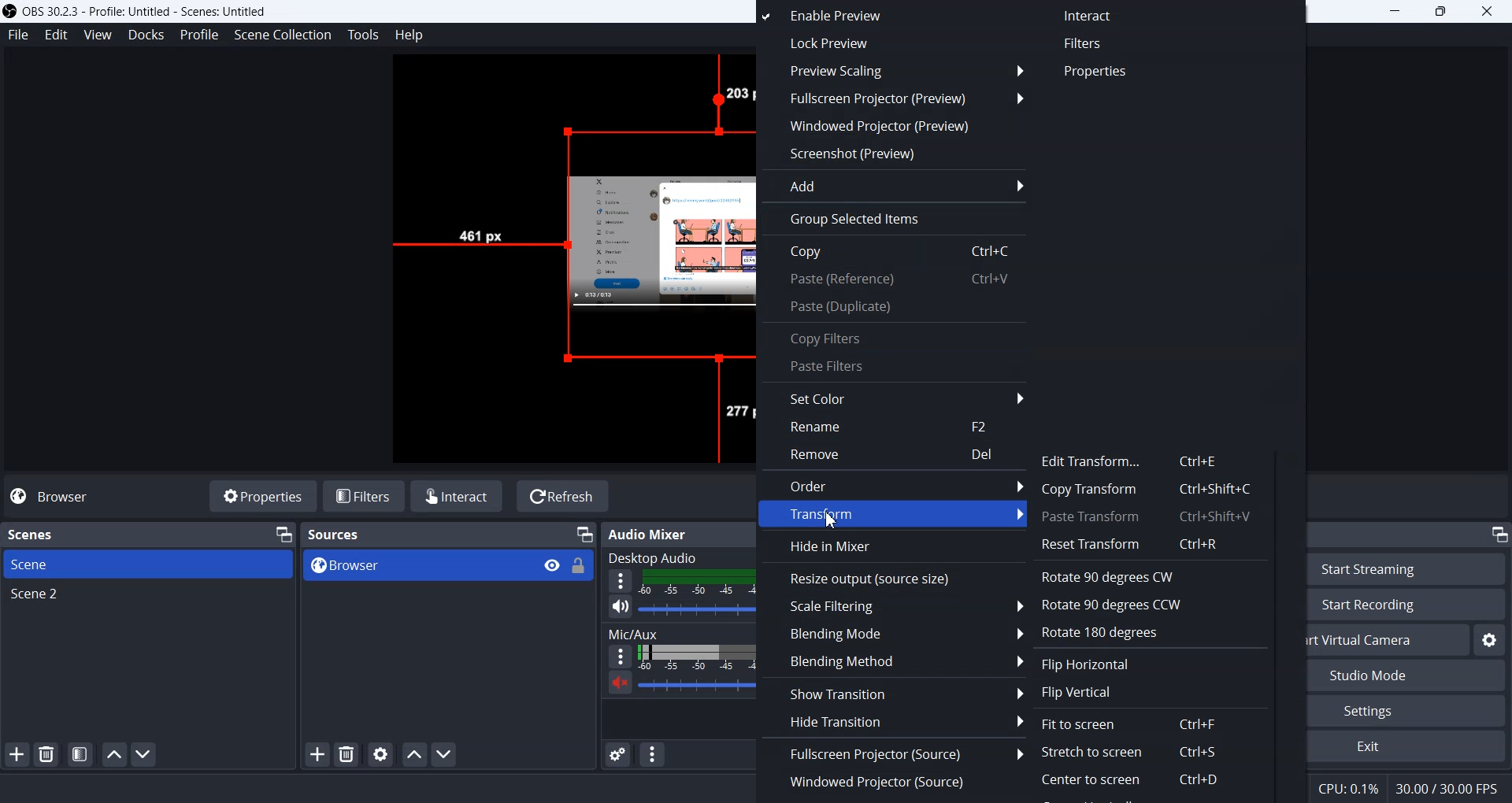  I want to click on Center to screen, so click(1155, 786).